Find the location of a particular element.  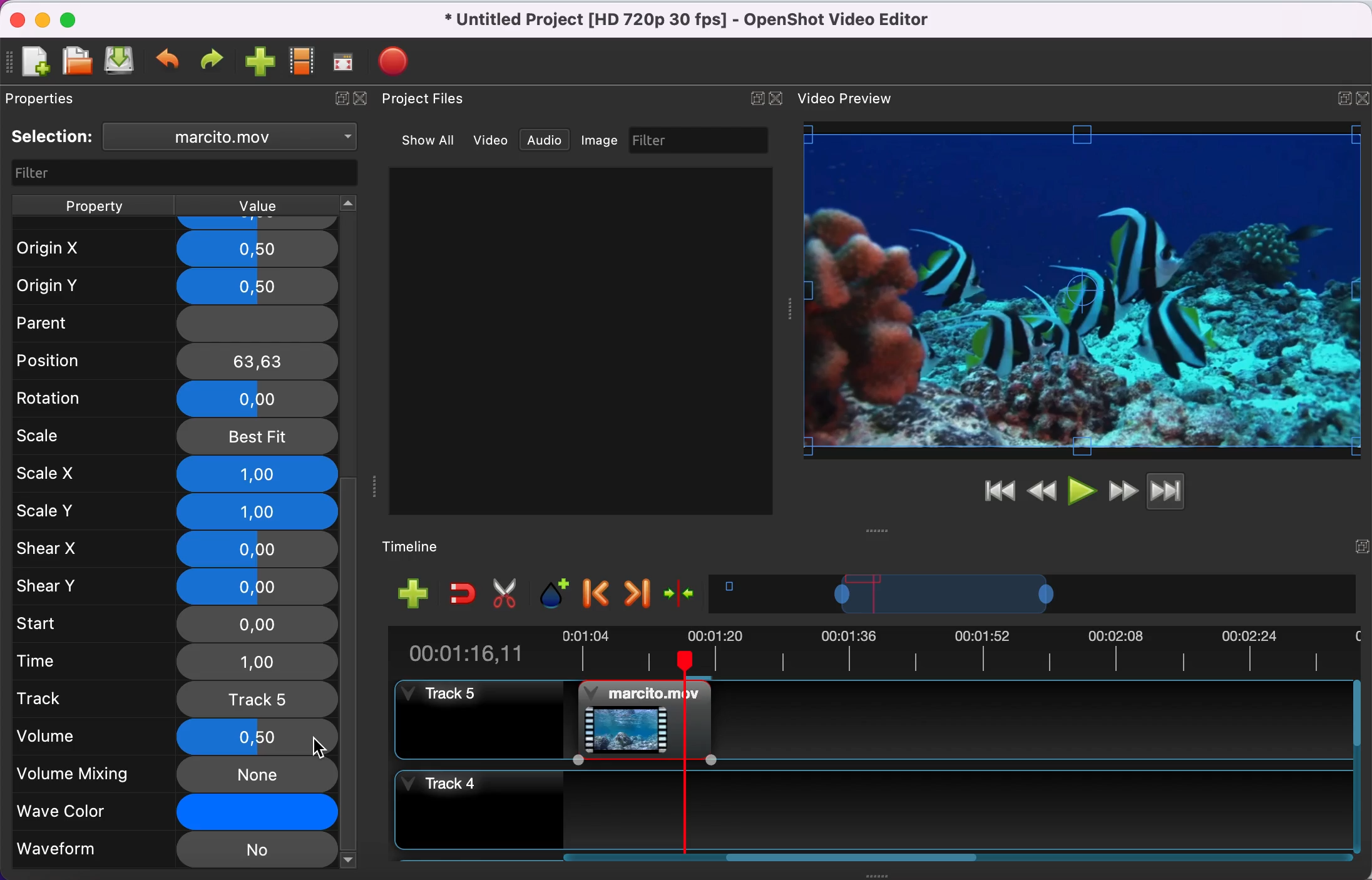

open file is located at coordinates (76, 61).